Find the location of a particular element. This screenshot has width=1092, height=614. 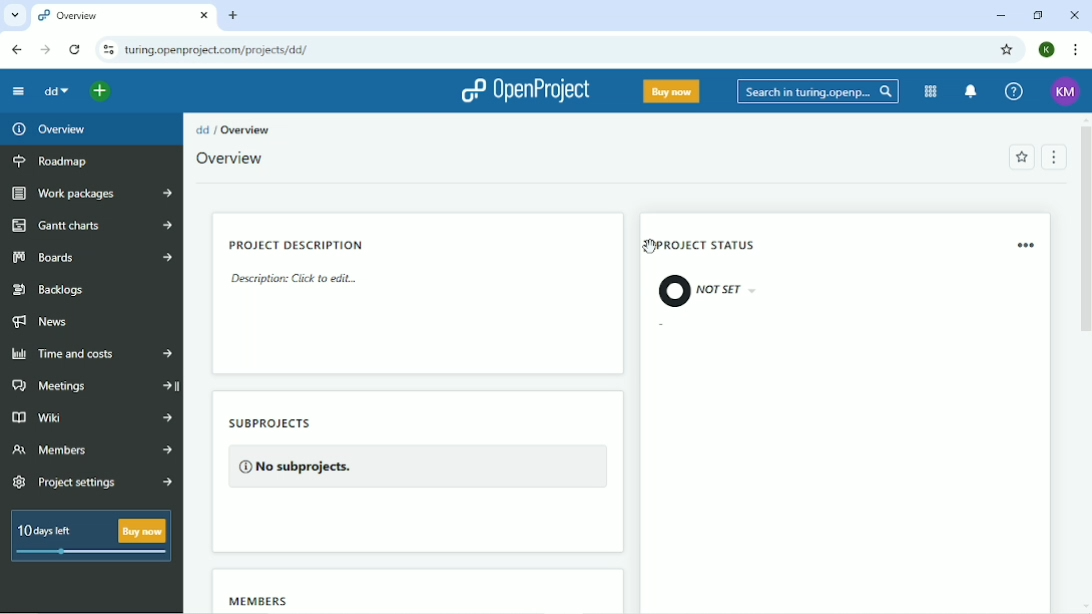

Search is located at coordinates (818, 91).